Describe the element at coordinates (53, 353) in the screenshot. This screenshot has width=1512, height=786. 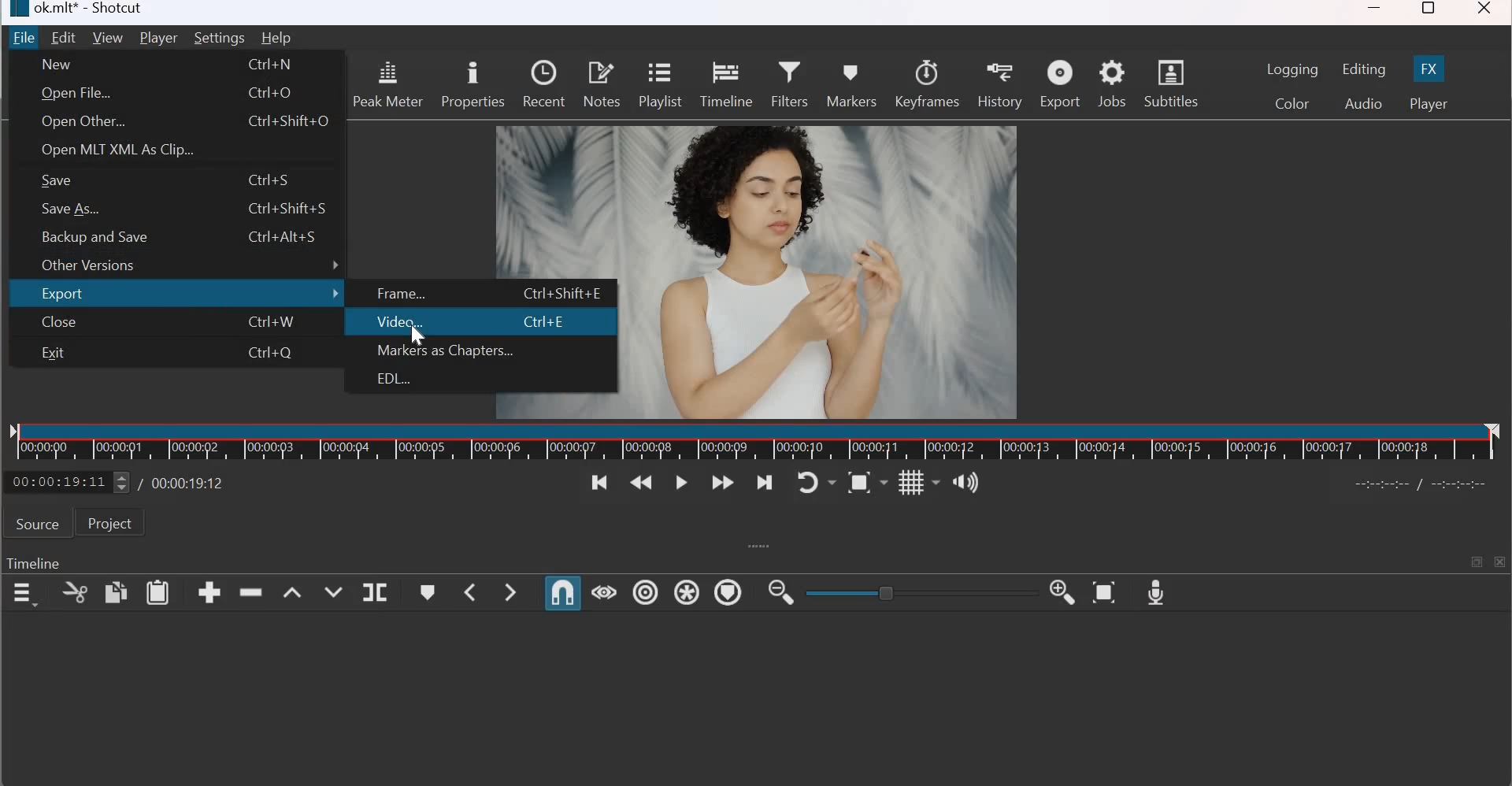
I see `Exit` at that location.